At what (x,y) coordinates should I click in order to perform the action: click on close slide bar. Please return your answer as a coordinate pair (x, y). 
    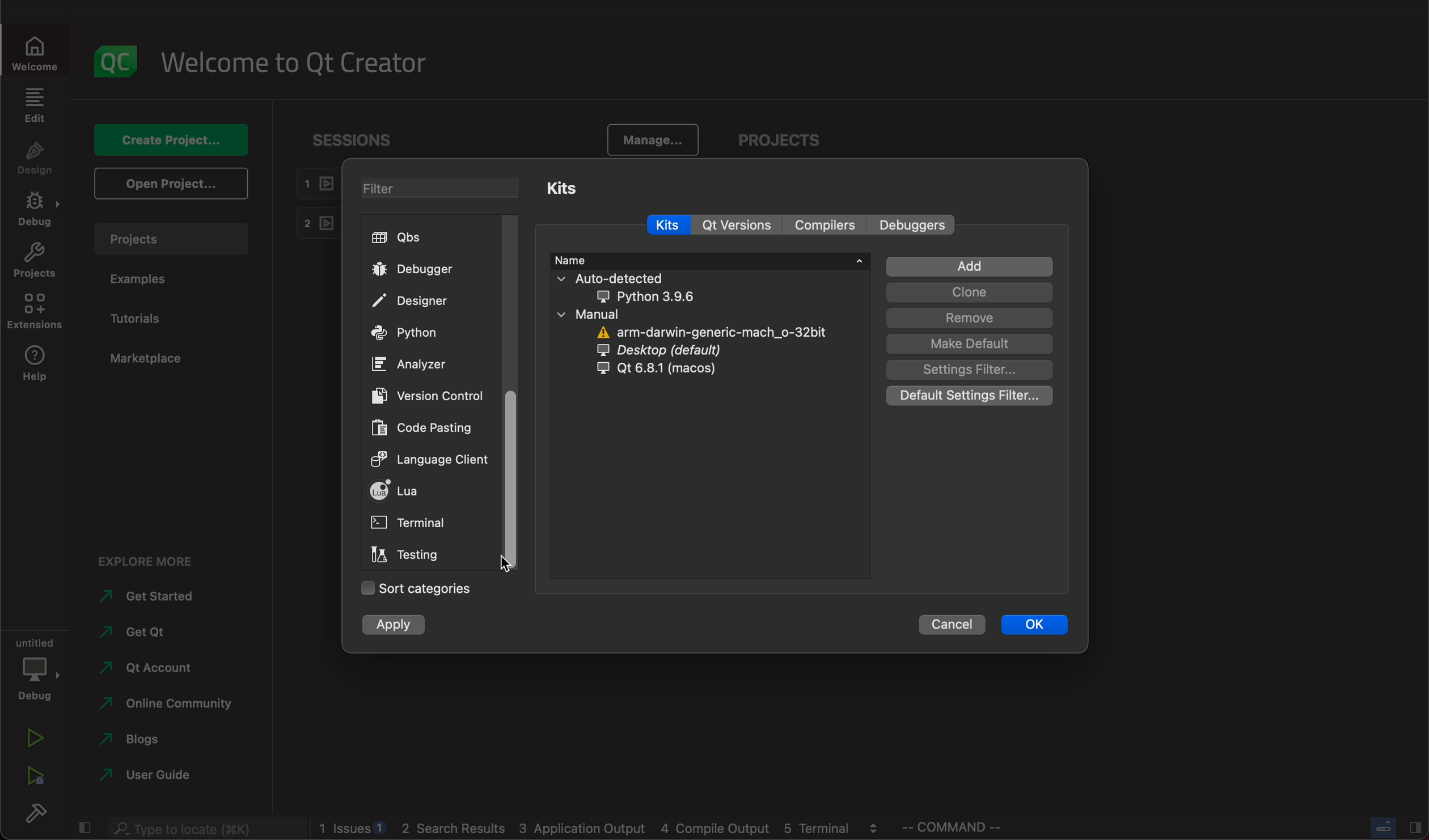
    Looking at the image, I should click on (83, 829).